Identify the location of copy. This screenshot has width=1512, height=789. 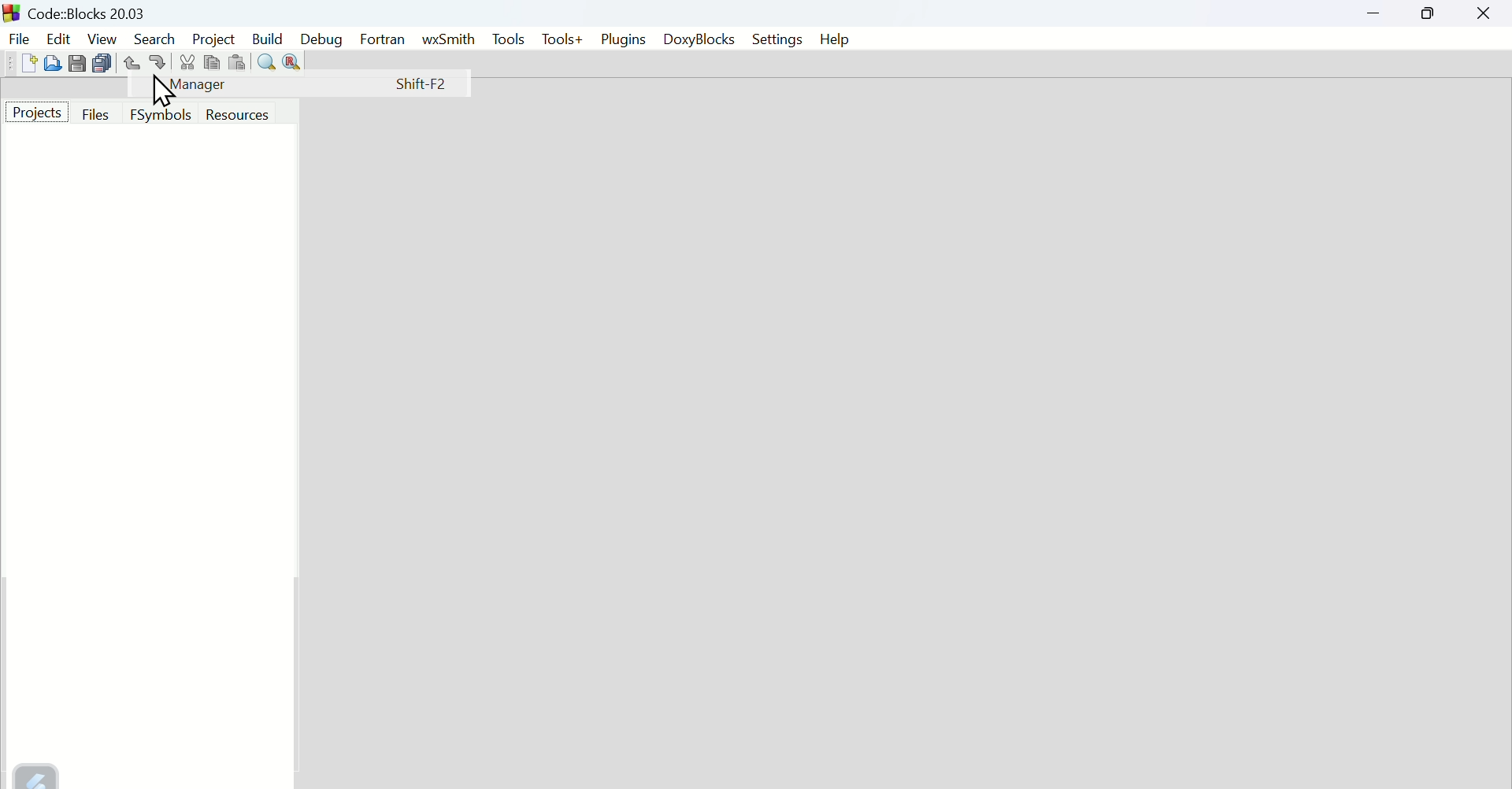
(212, 61).